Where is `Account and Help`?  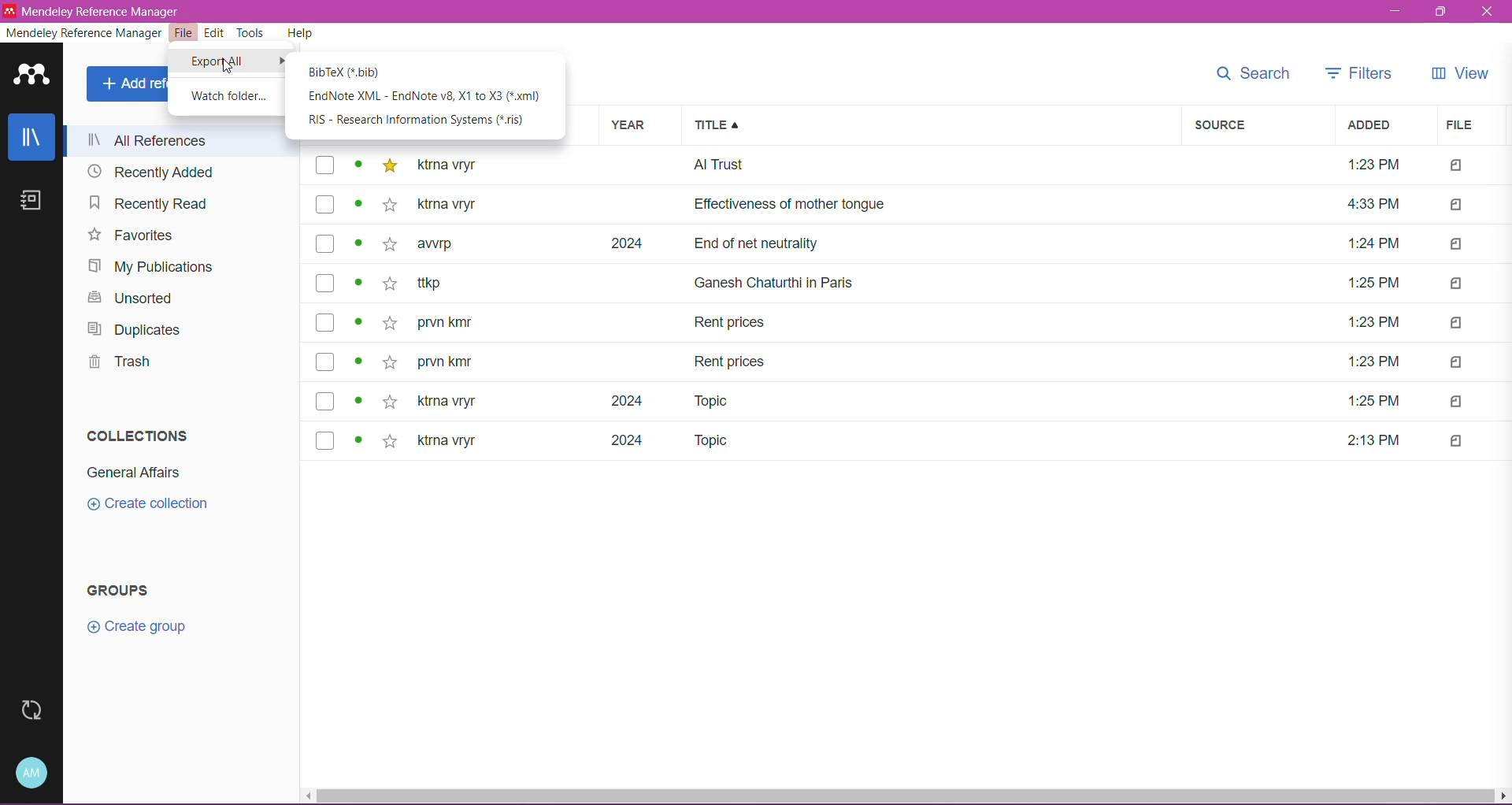 Account and Help is located at coordinates (36, 772).